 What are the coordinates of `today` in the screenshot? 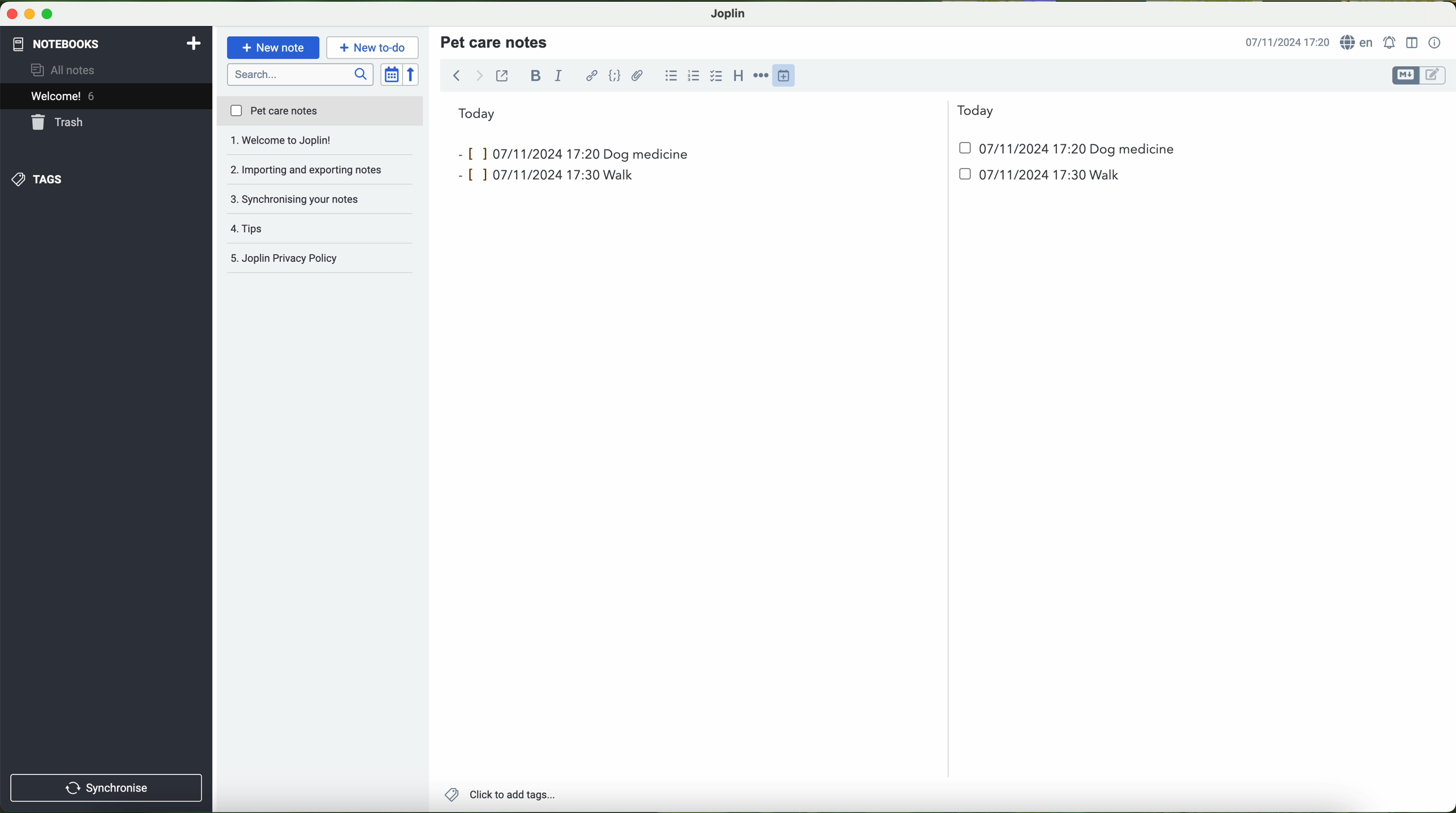 It's located at (726, 112).